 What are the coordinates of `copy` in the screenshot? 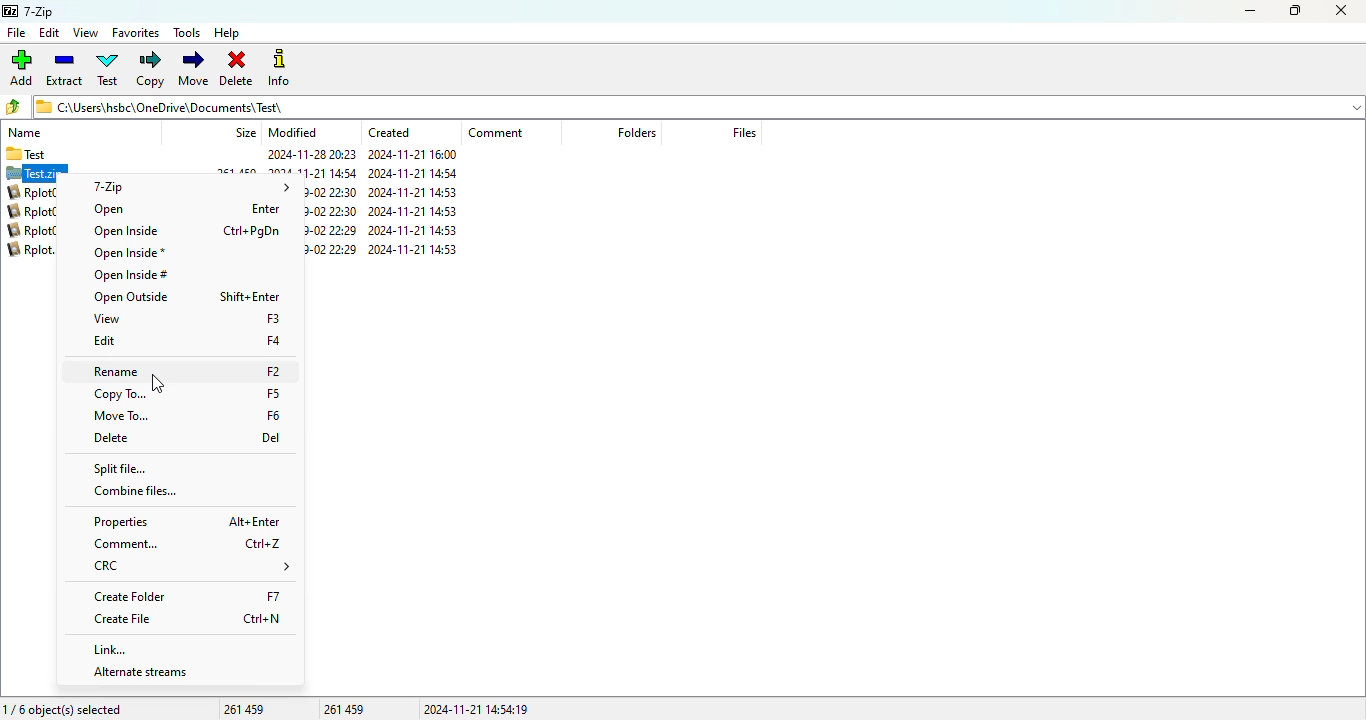 It's located at (150, 69).